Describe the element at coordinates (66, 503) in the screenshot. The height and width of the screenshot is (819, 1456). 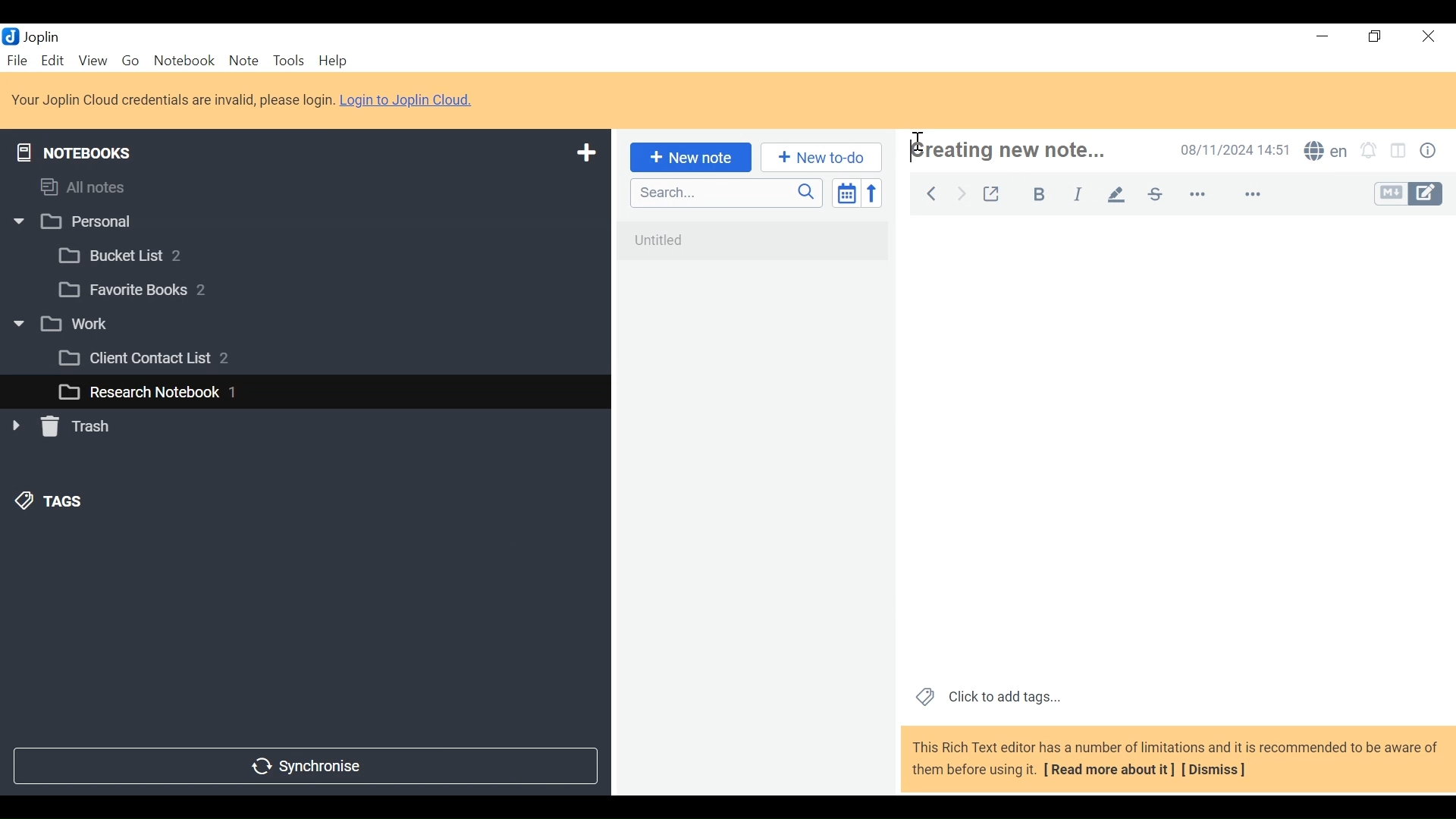
I see `&) TAGS` at that location.